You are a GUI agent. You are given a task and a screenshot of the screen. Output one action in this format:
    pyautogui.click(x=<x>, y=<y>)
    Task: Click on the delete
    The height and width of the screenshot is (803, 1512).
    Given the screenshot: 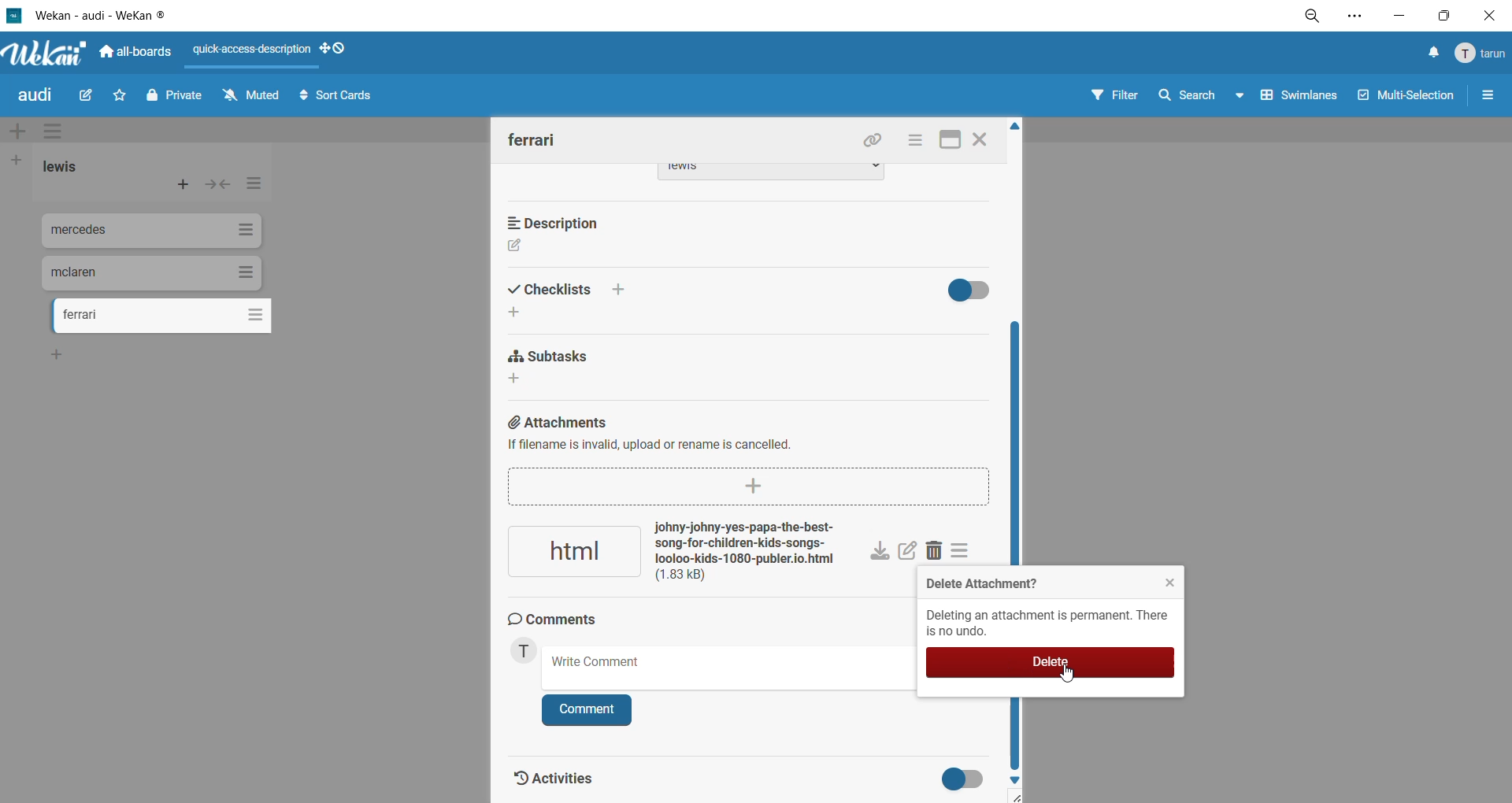 What is the action you would take?
    pyautogui.click(x=1053, y=664)
    